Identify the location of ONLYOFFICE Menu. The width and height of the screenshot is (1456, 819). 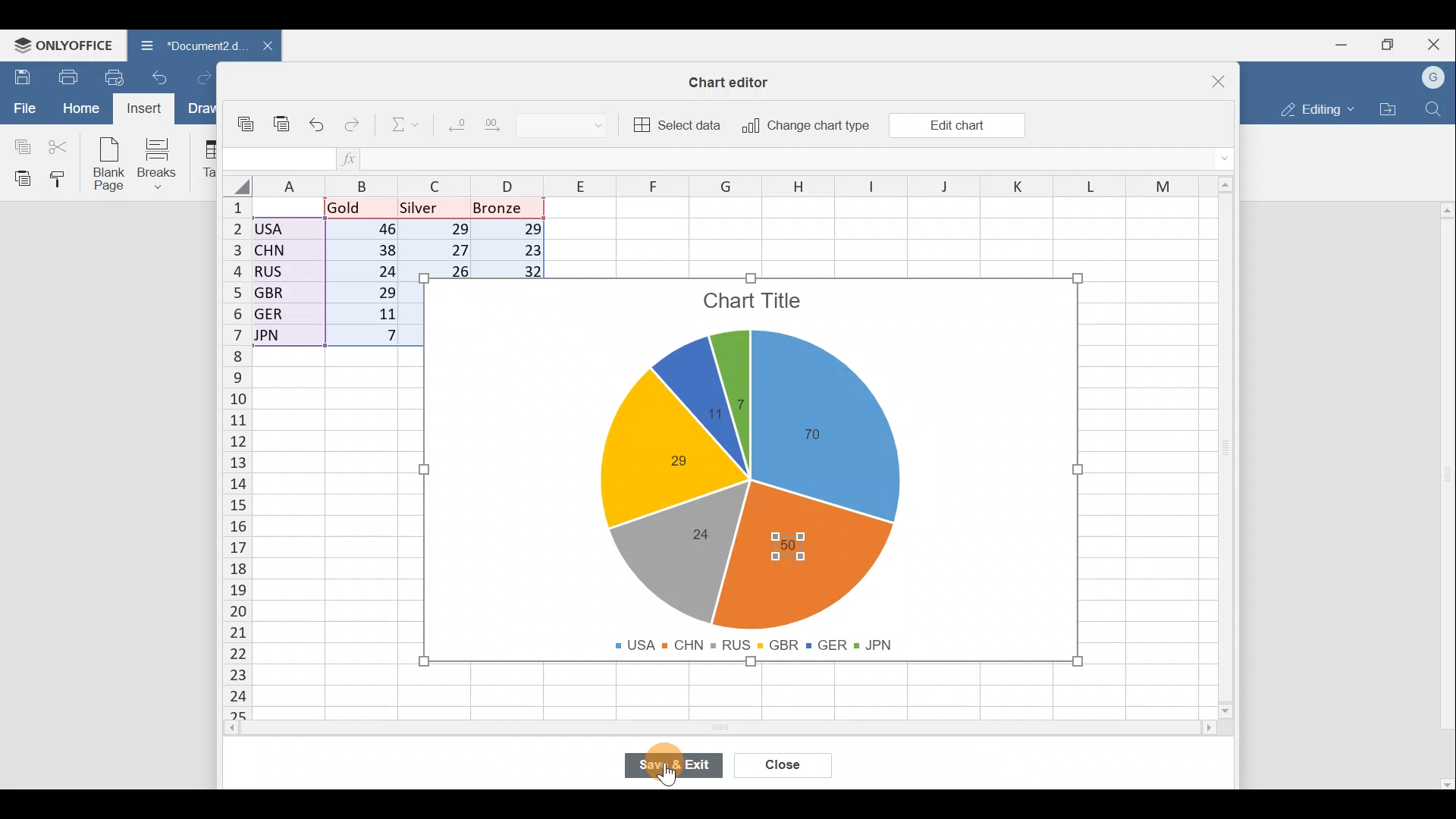
(61, 45).